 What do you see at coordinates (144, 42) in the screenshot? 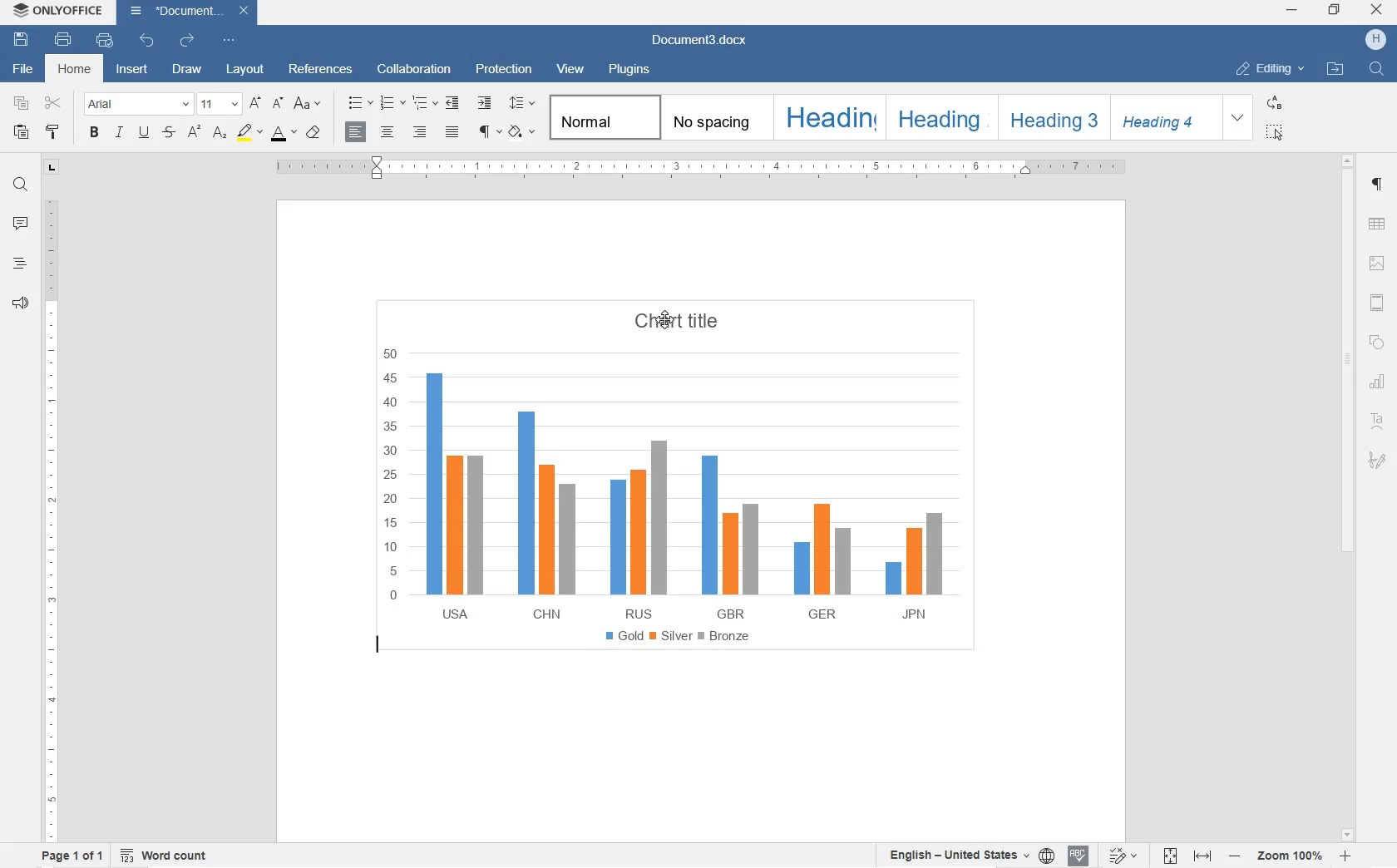
I see `UNDO` at bounding box center [144, 42].